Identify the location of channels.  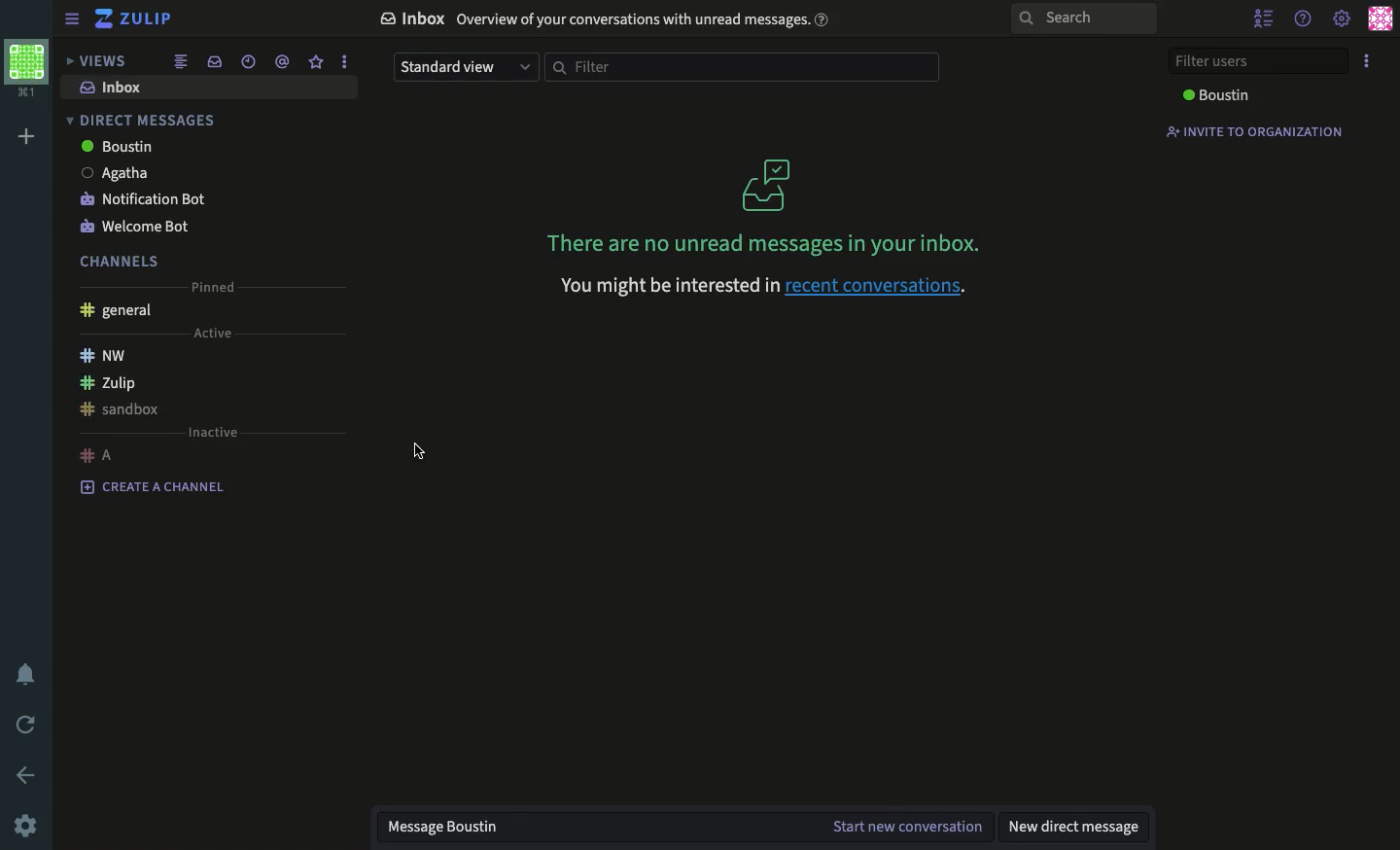
(122, 261).